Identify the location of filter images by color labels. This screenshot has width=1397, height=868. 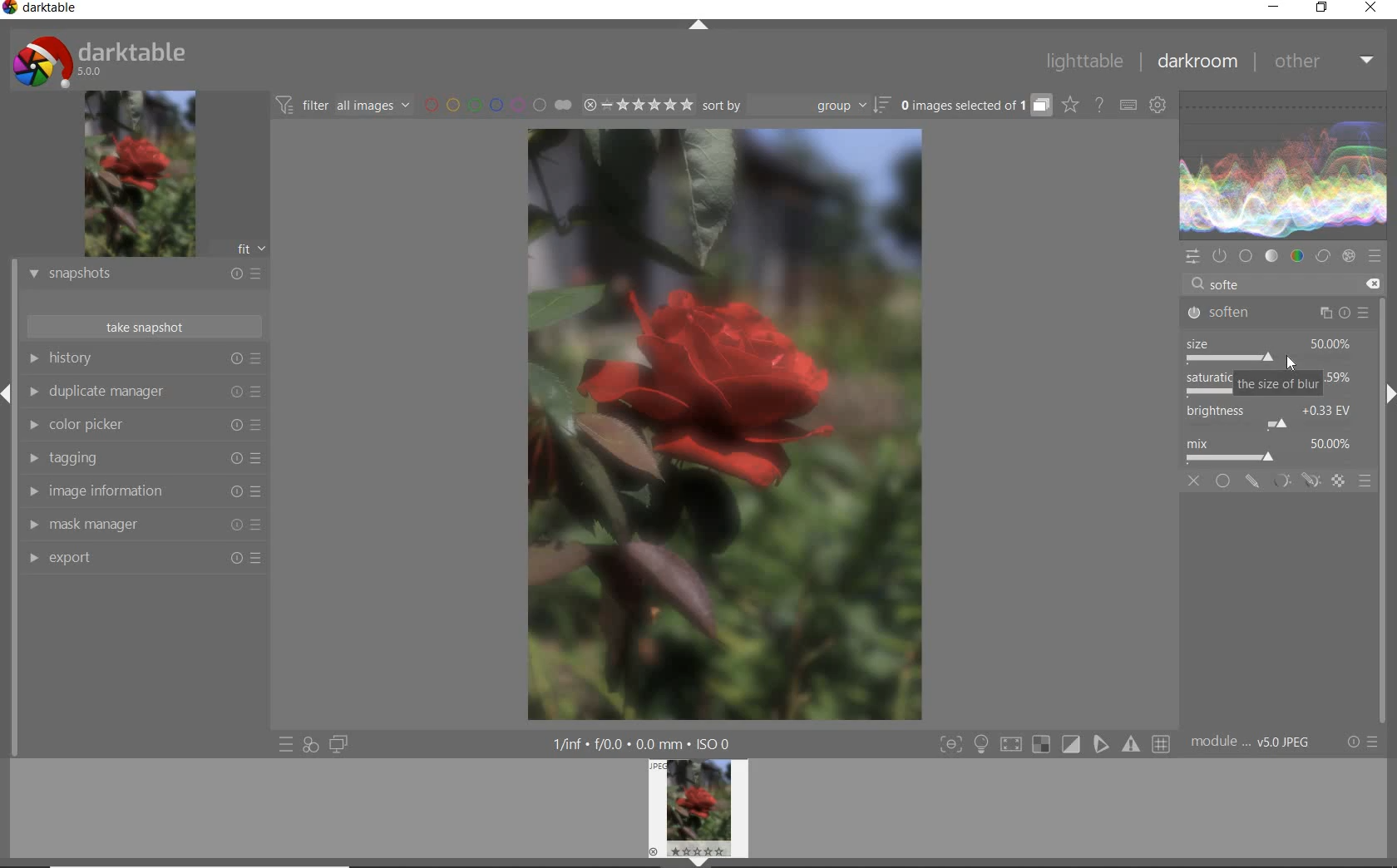
(496, 106).